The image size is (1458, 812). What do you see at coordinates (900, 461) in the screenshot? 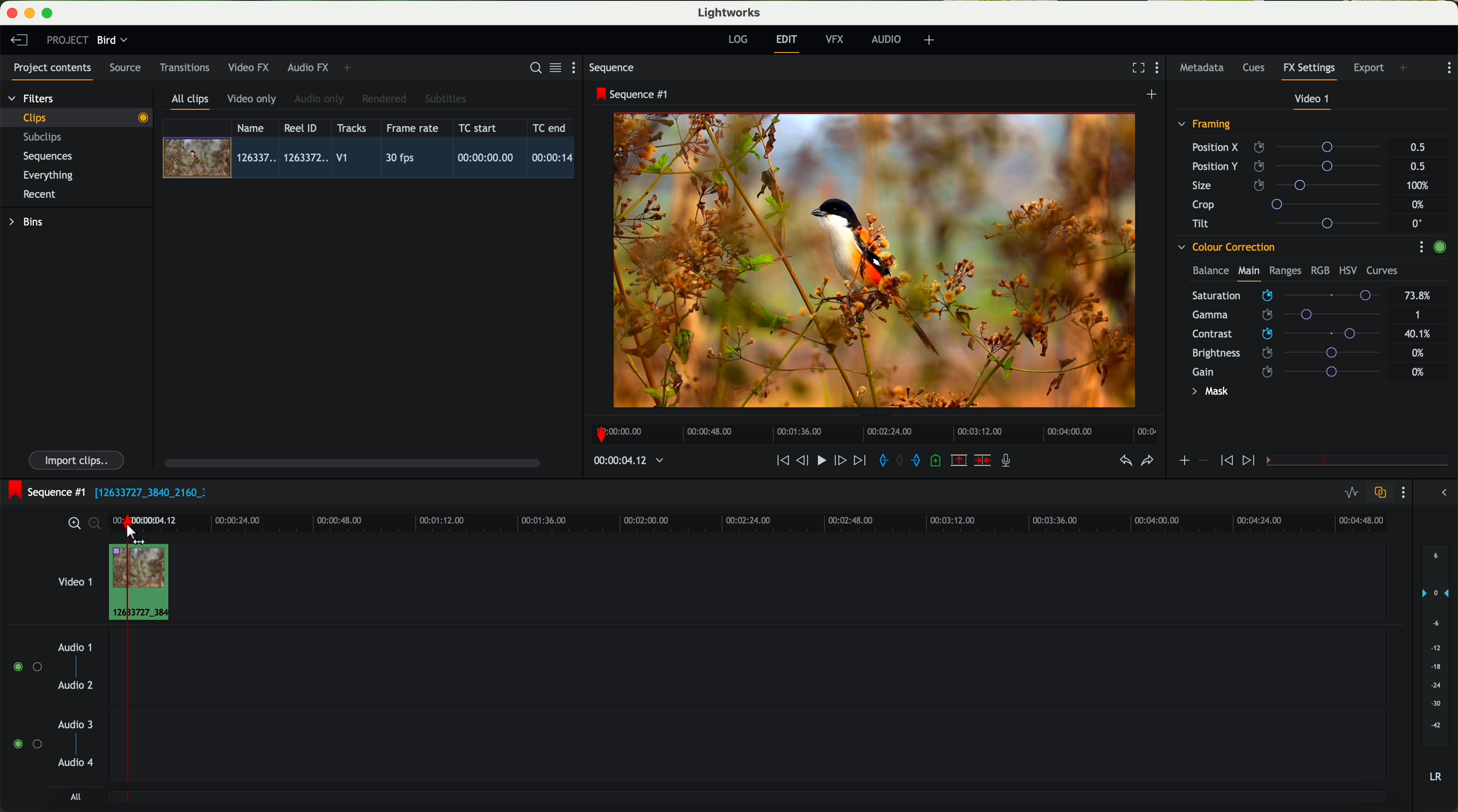
I see `clear marks` at bounding box center [900, 461].